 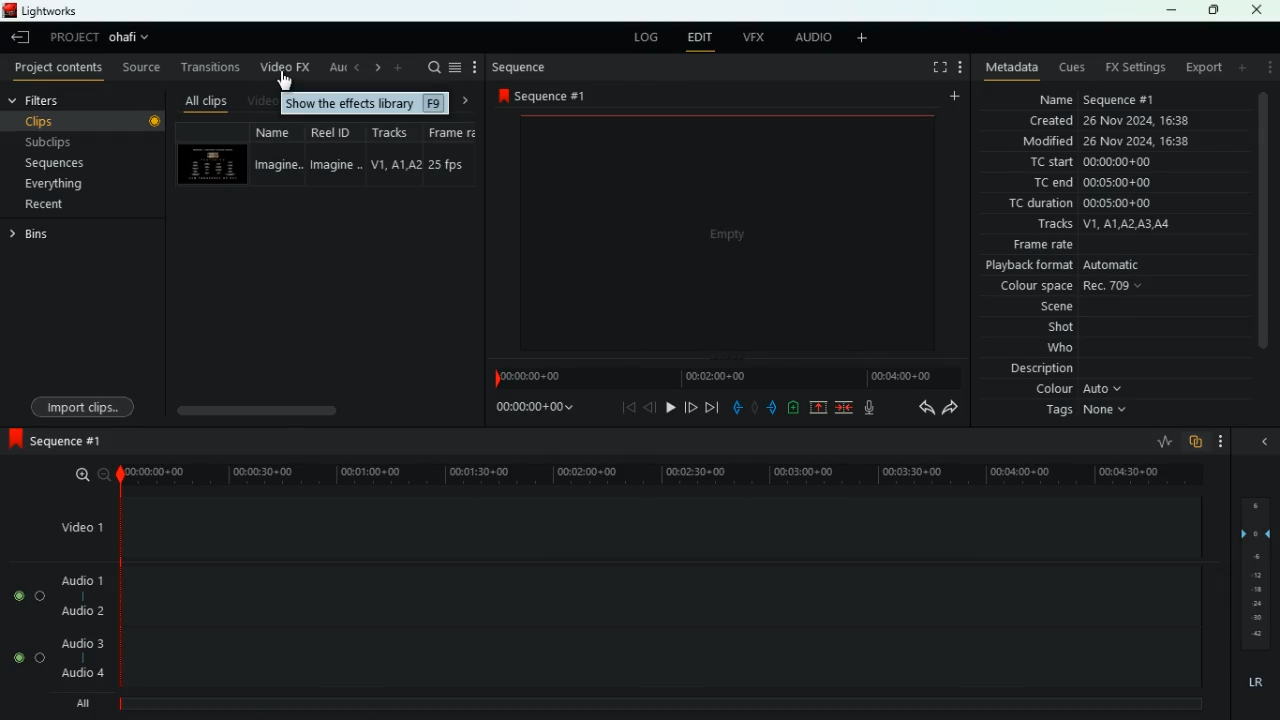 What do you see at coordinates (670, 407) in the screenshot?
I see `play` at bounding box center [670, 407].